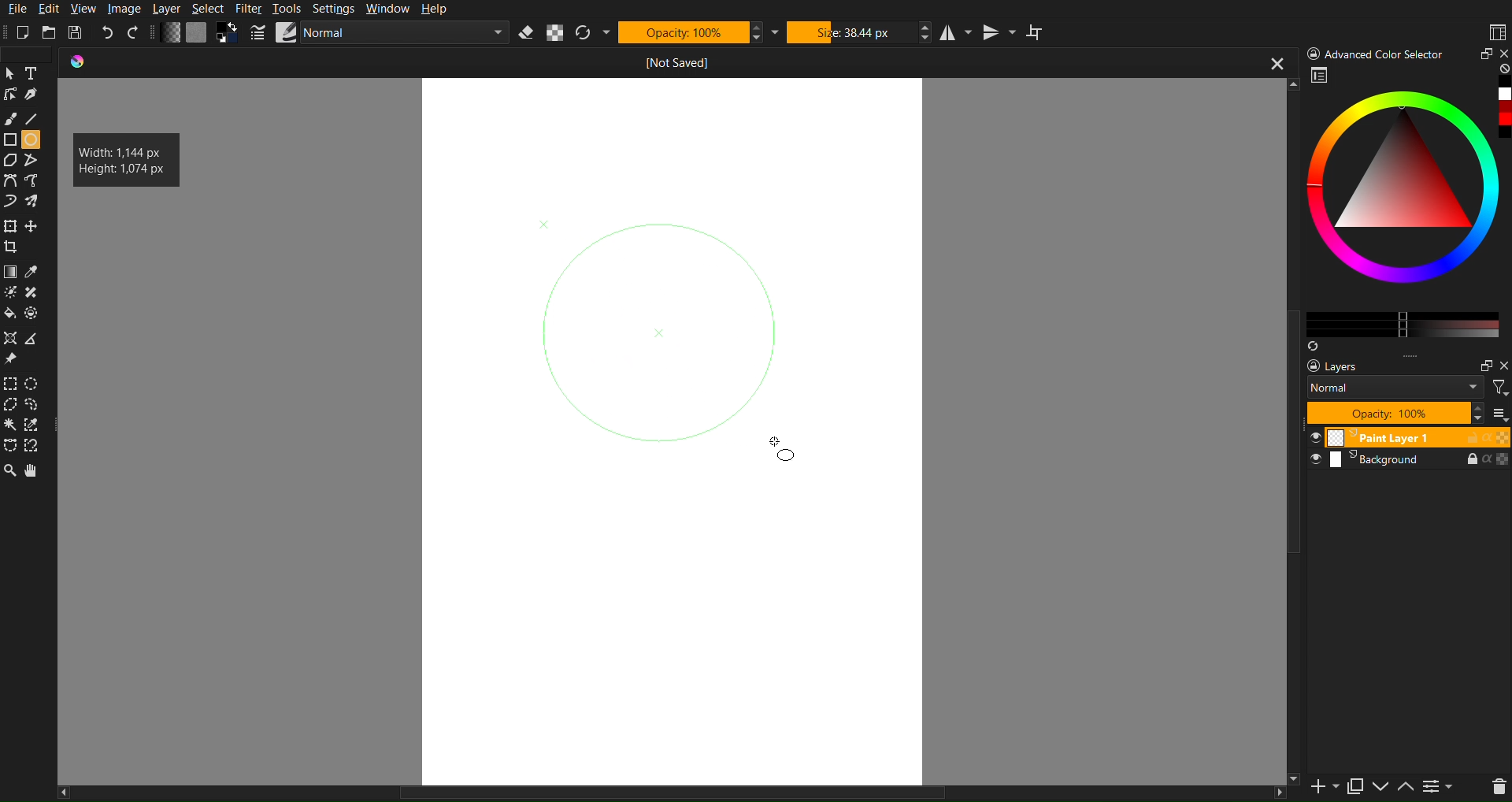 This screenshot has width=1512, height=802. What do you see at coordinates (1503, 54) in the screenshot?
I see `close` at bounding box center [1503, 54].